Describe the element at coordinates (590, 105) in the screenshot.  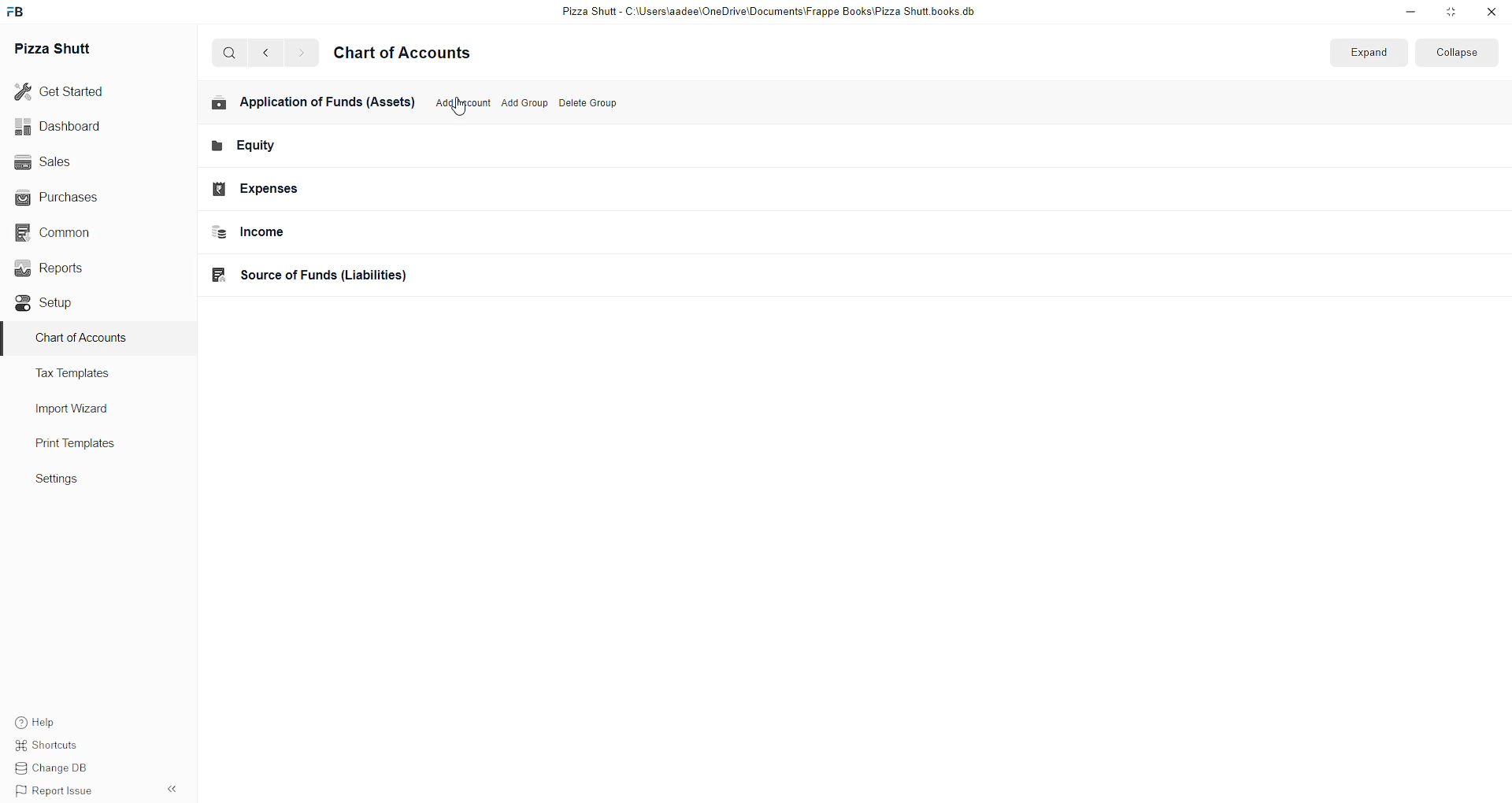
I see `Delete Group button` at that location.